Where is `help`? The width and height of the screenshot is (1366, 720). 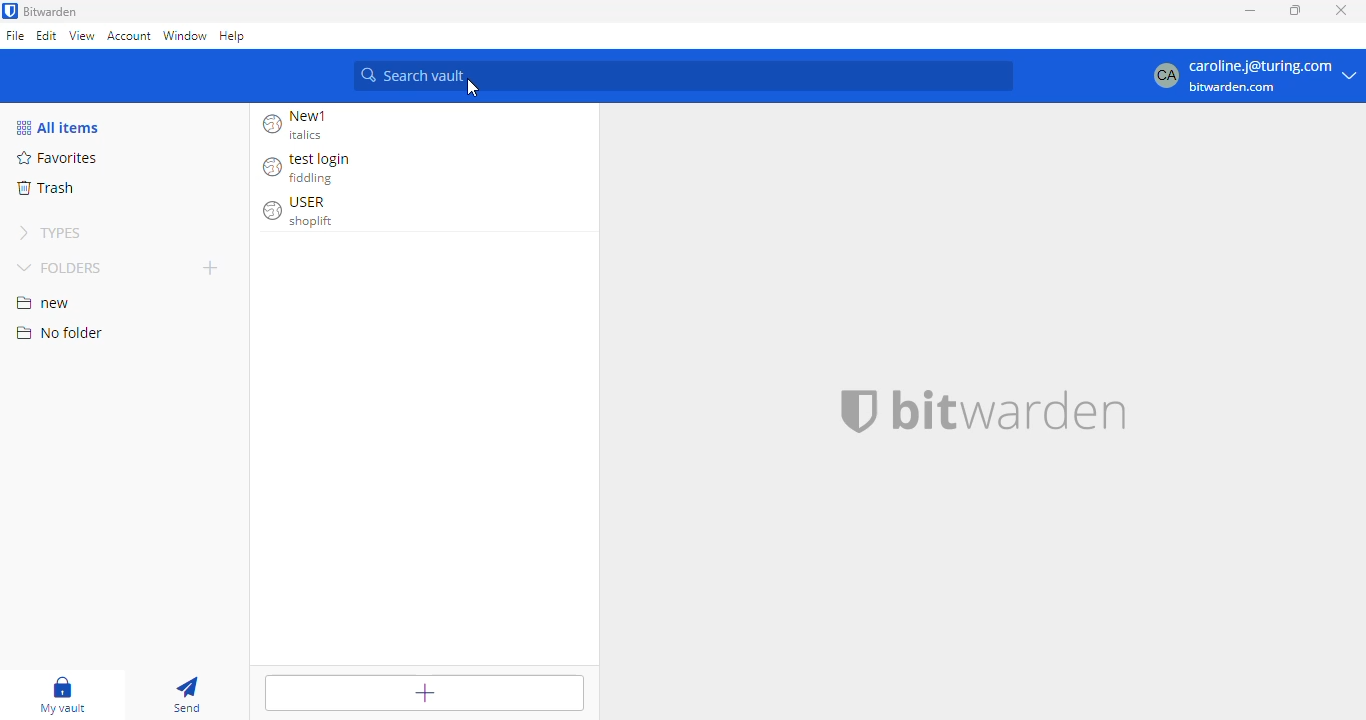 help is located at coordinates (232, 35).